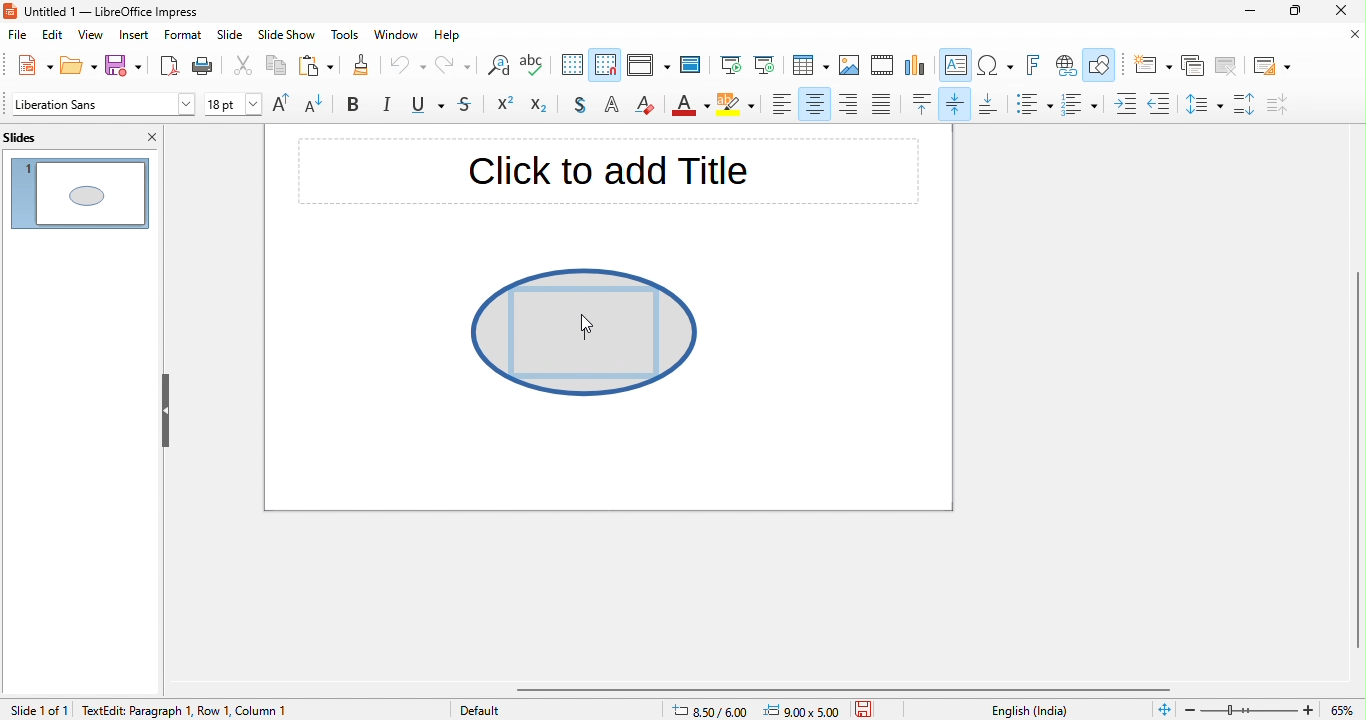 The image size is (1366, 720). I want to click on clear direct formatting, so click(647, 106).